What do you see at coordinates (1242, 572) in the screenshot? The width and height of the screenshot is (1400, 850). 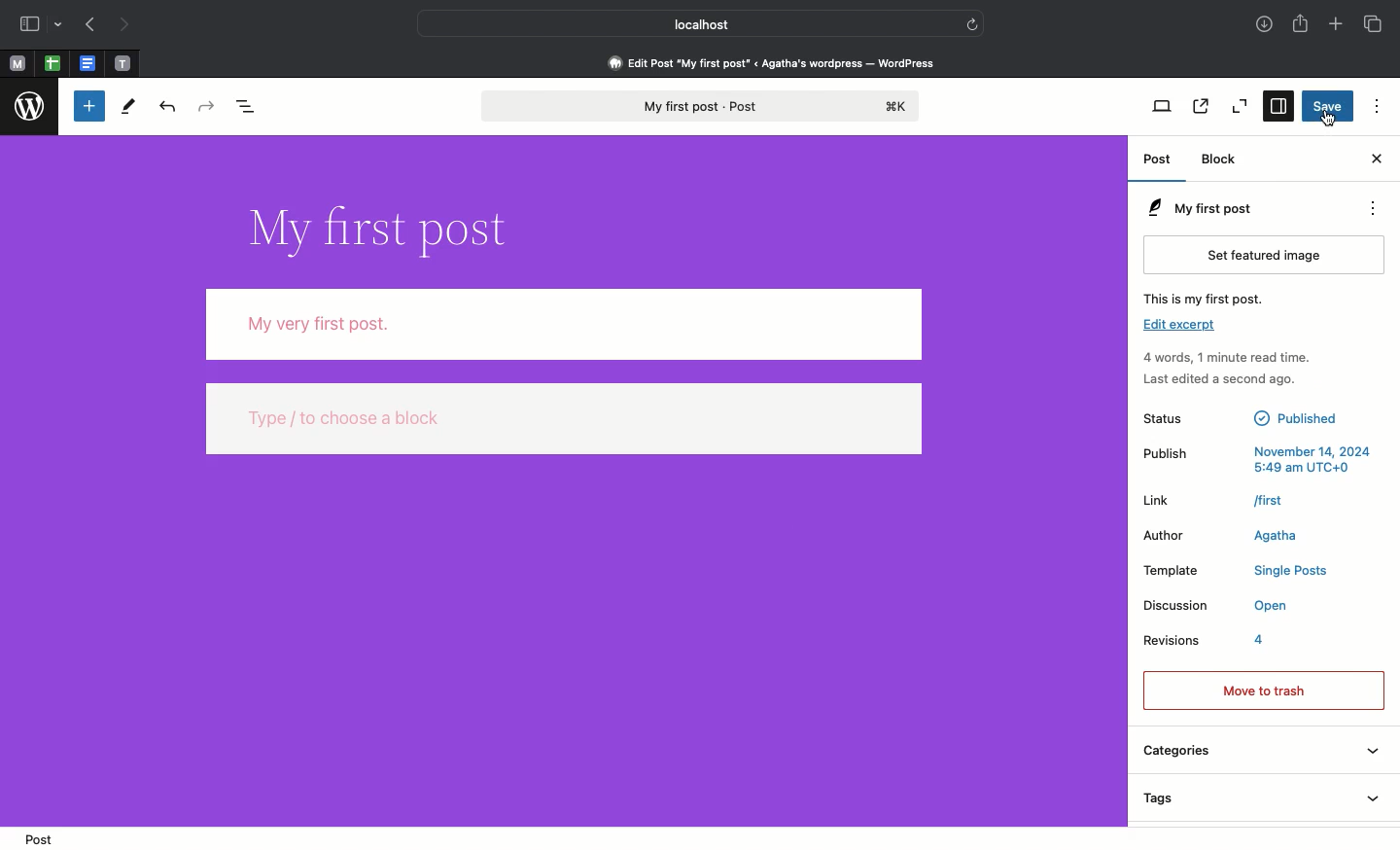 I see `template` at bounding box center [1242, 572].